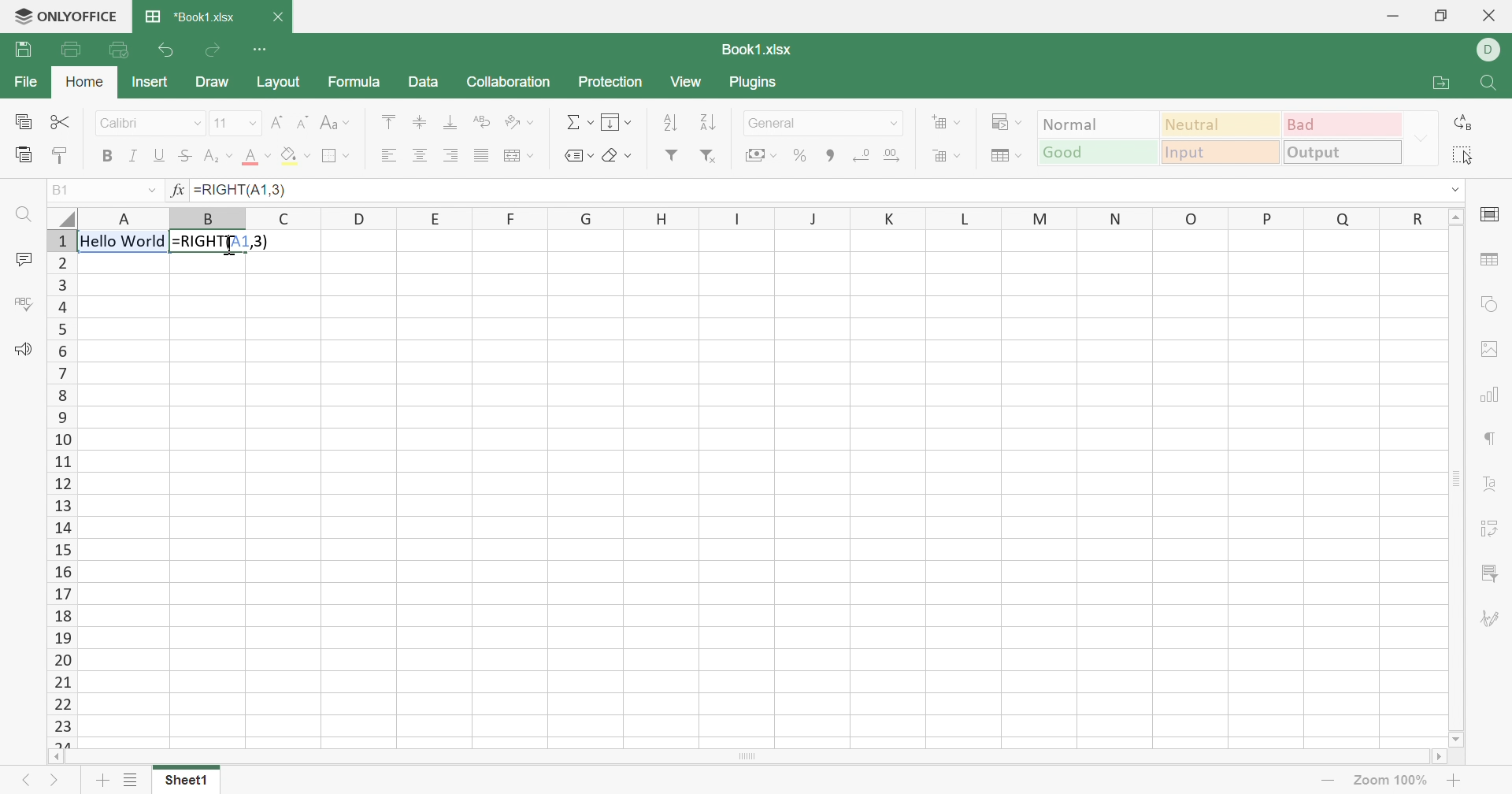  I want to click on Open file location, so click(1440, 84).